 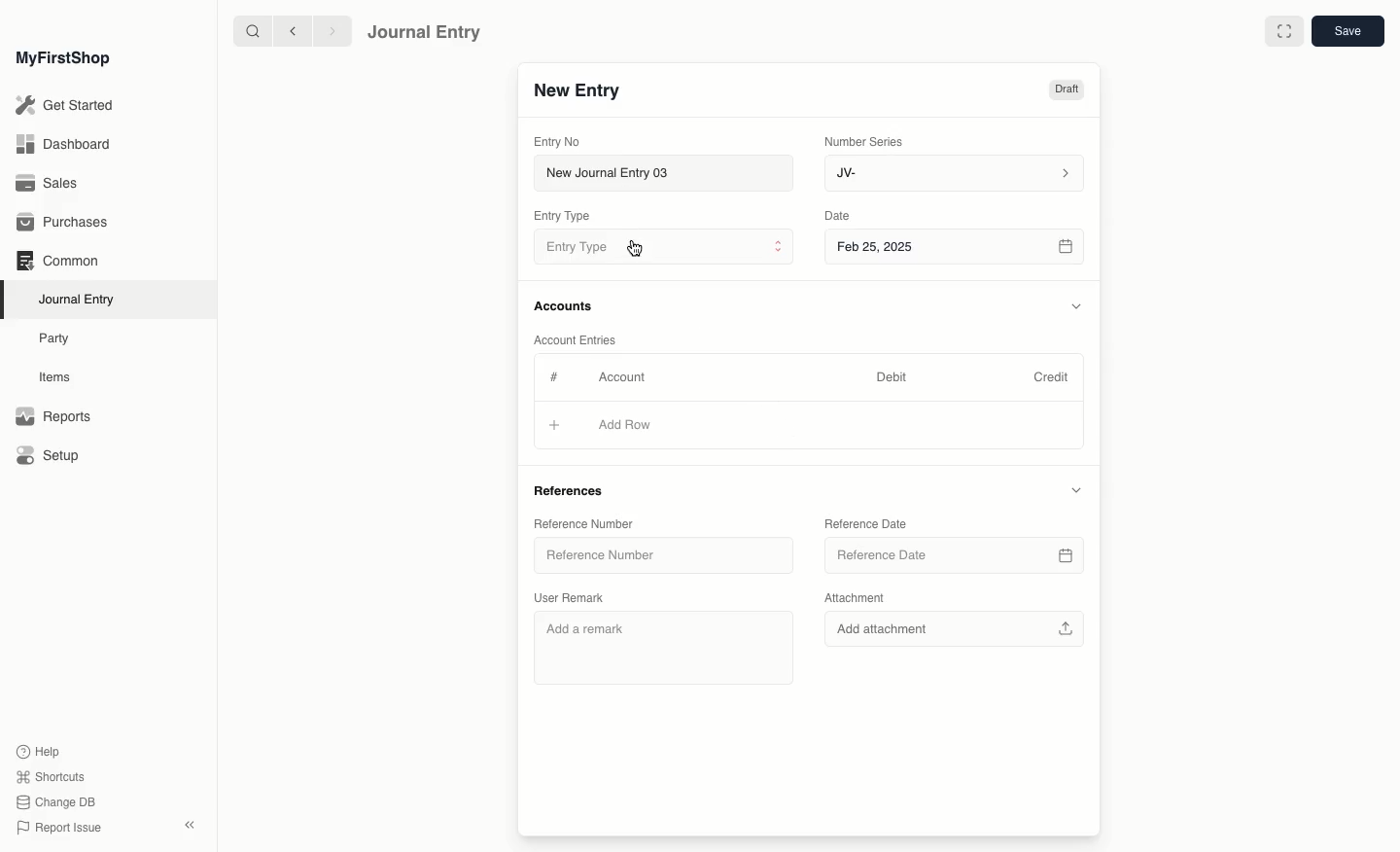 What do you see at coordinates (61, 59) in the screenshot?
I see `MyFirstShop` at bounding box center [61, 59].